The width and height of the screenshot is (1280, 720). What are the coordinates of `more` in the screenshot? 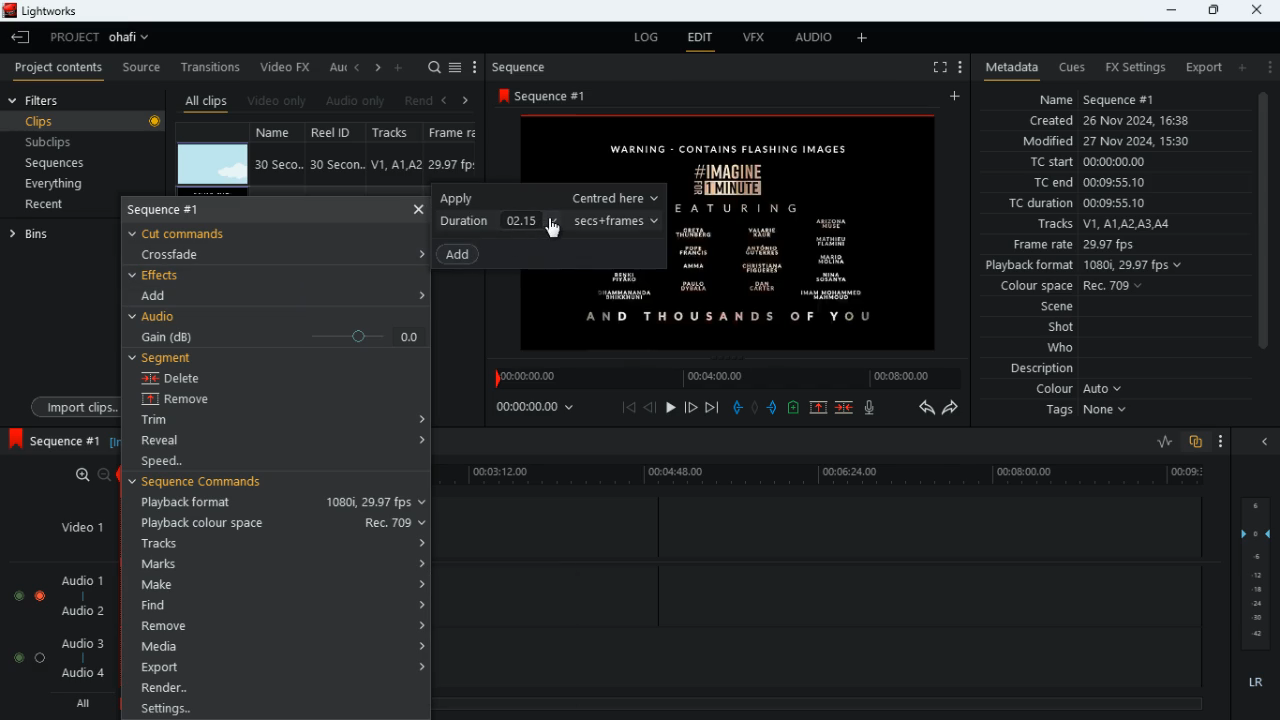 It's located at (1222, 443).